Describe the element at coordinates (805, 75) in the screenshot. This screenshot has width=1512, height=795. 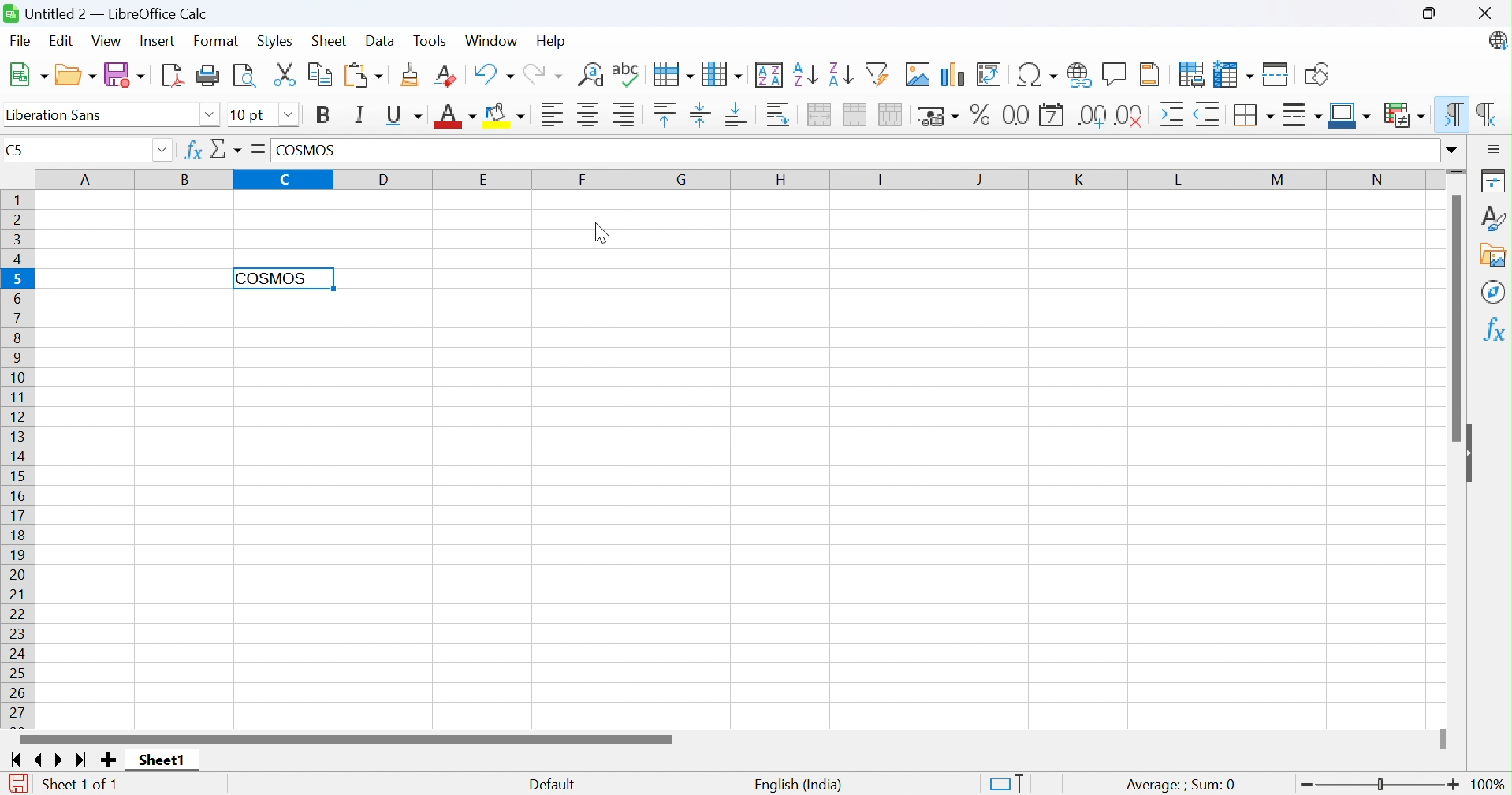
I see `Sort ascending` at that location.